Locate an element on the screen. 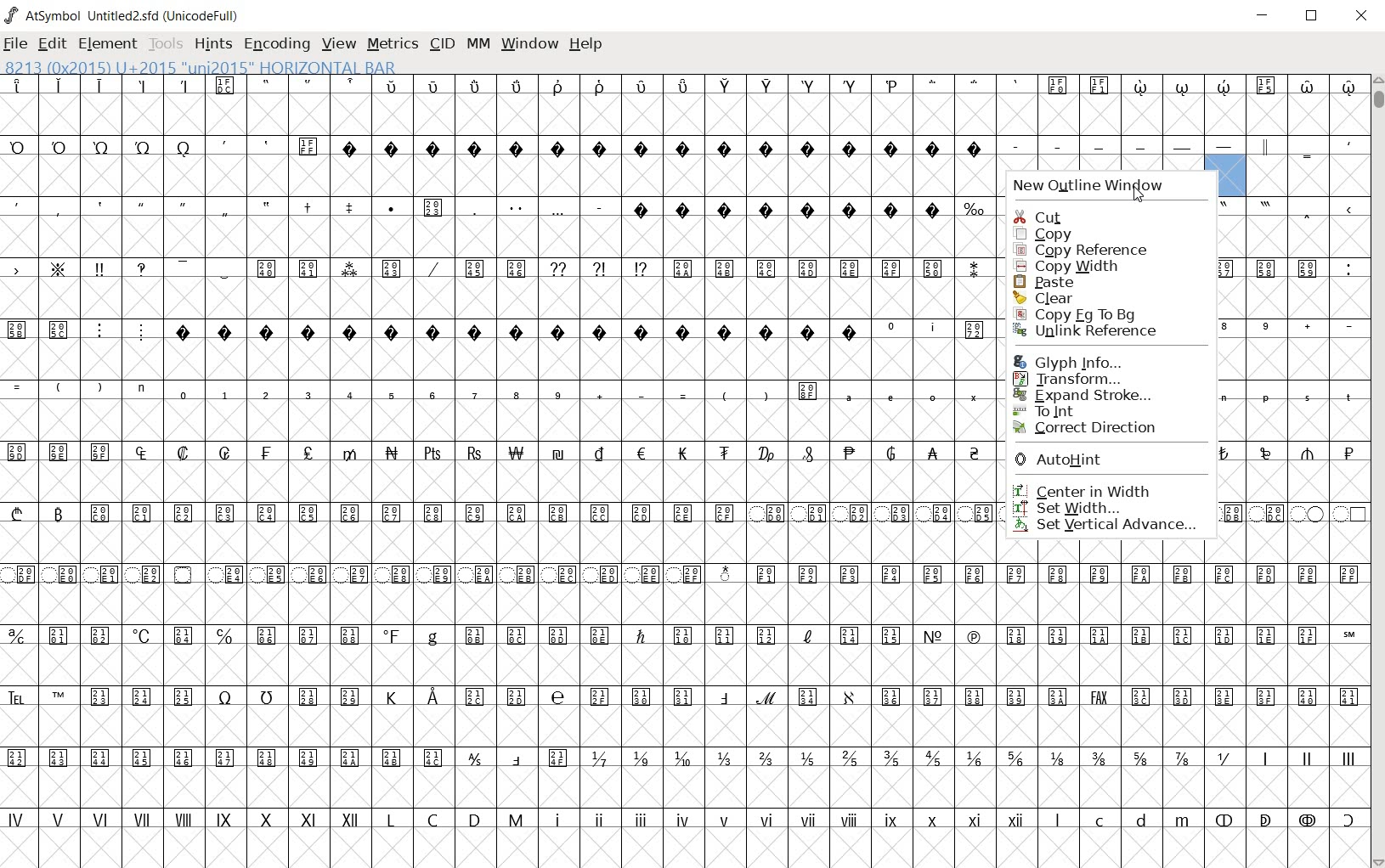 Image resolution: width=1385 pixels, height=868 pixels. MINIMIZE is located at coordinates (1265, 16).